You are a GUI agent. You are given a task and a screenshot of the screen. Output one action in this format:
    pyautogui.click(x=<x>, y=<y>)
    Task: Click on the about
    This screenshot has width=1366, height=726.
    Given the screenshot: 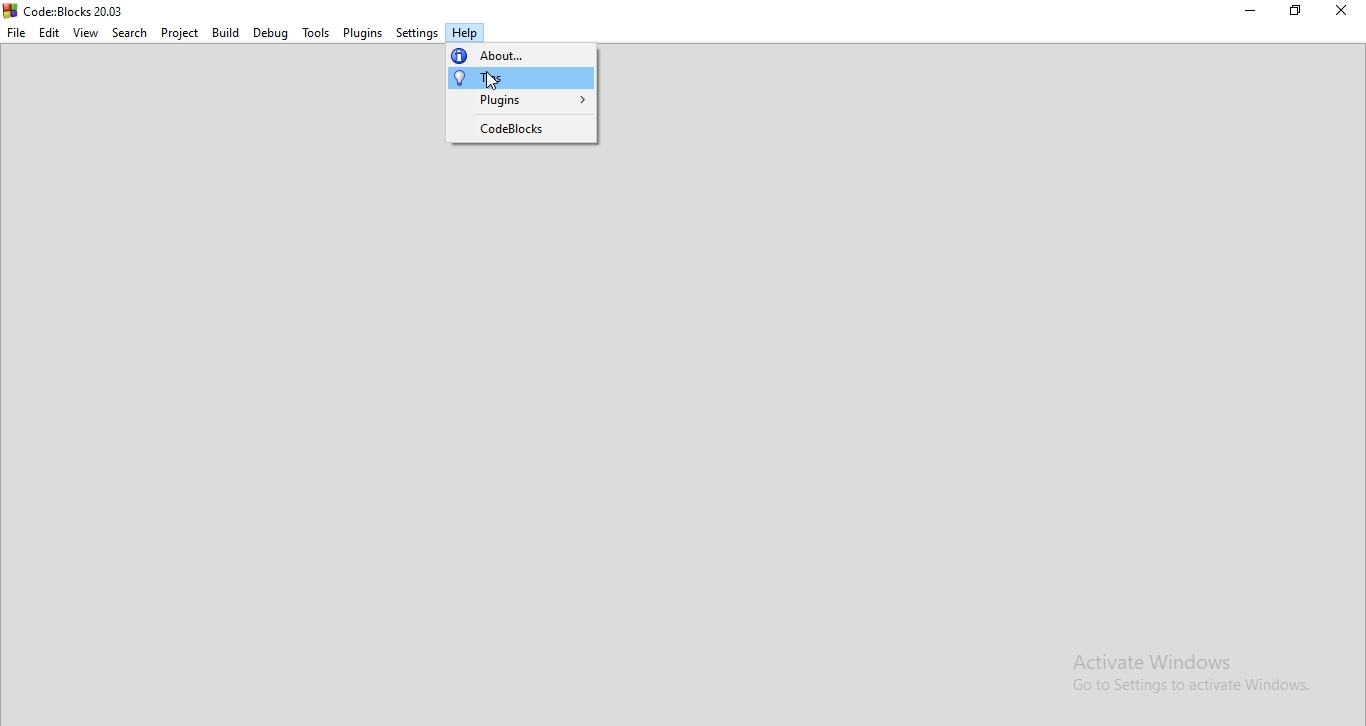 What is the action you would take?
    pyautogui.click(x=523, y=56)
    